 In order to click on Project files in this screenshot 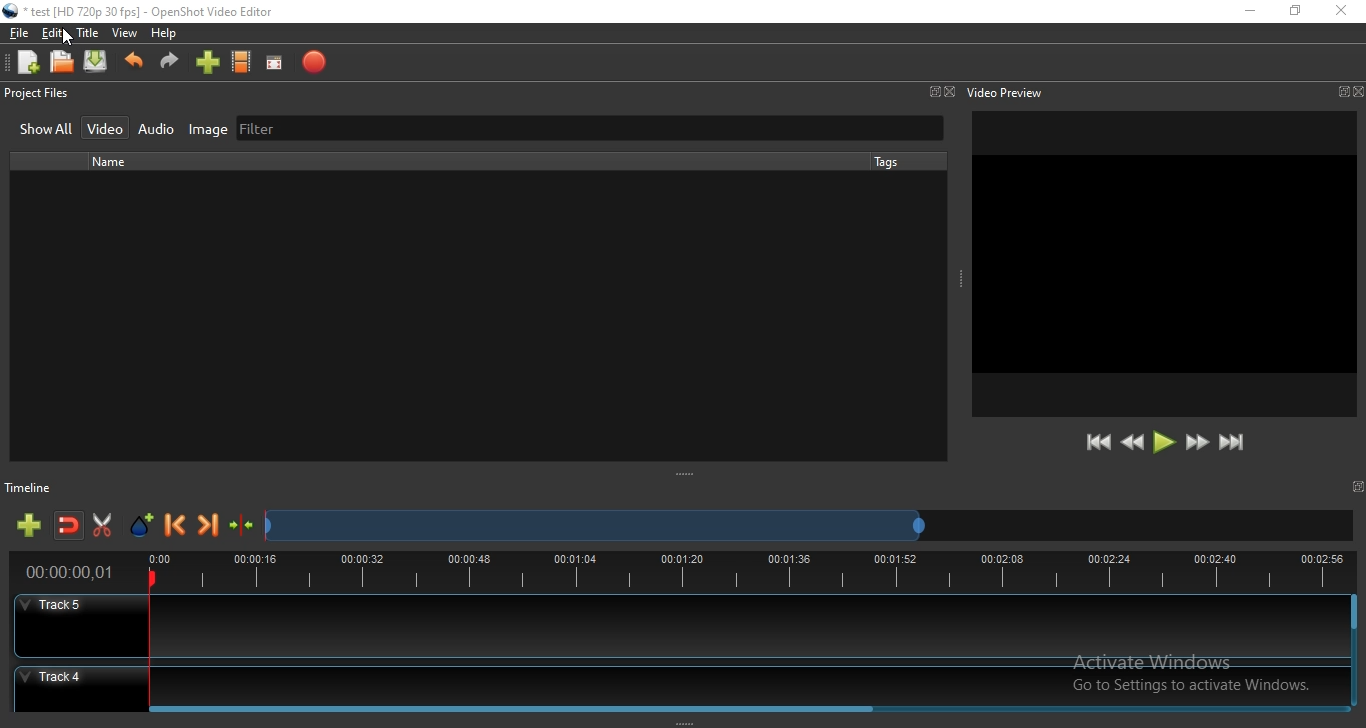, I will do `click(37, 95)`.